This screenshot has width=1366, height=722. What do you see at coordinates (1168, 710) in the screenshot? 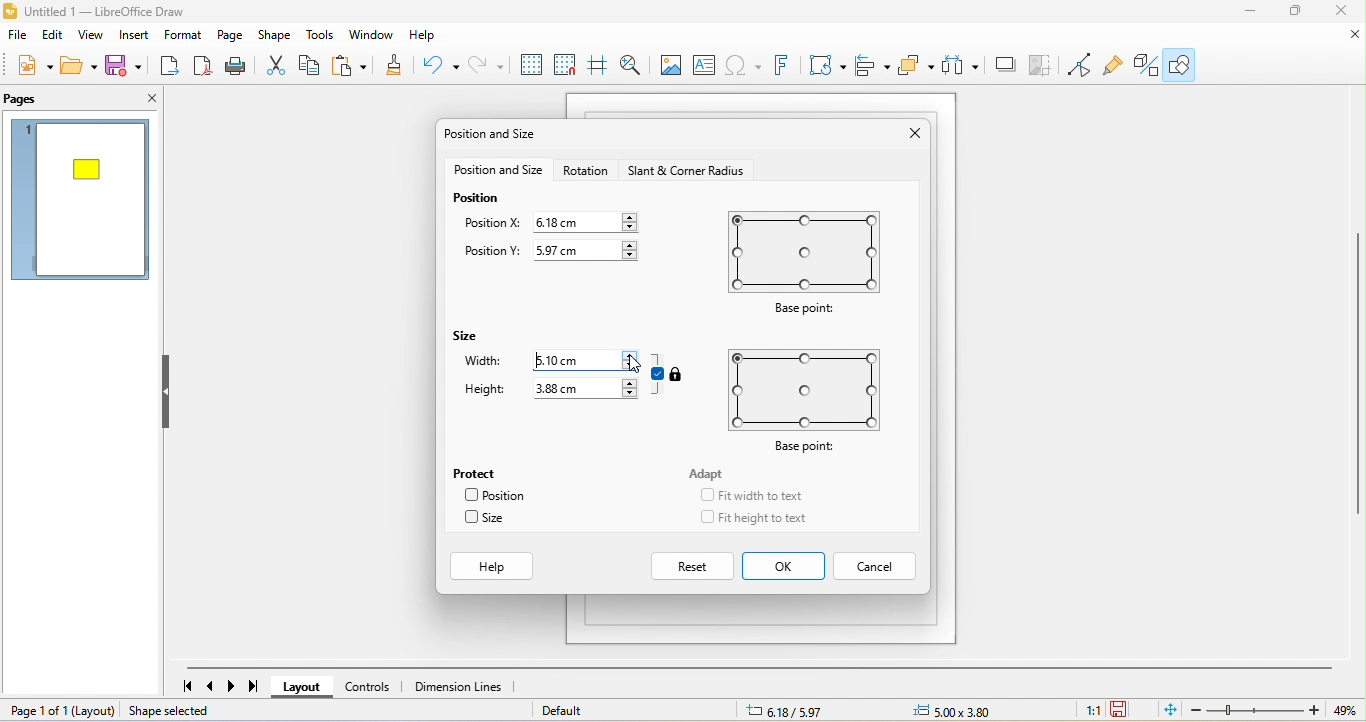
I see `fit page to current window` at bounding box center [1168, 710].